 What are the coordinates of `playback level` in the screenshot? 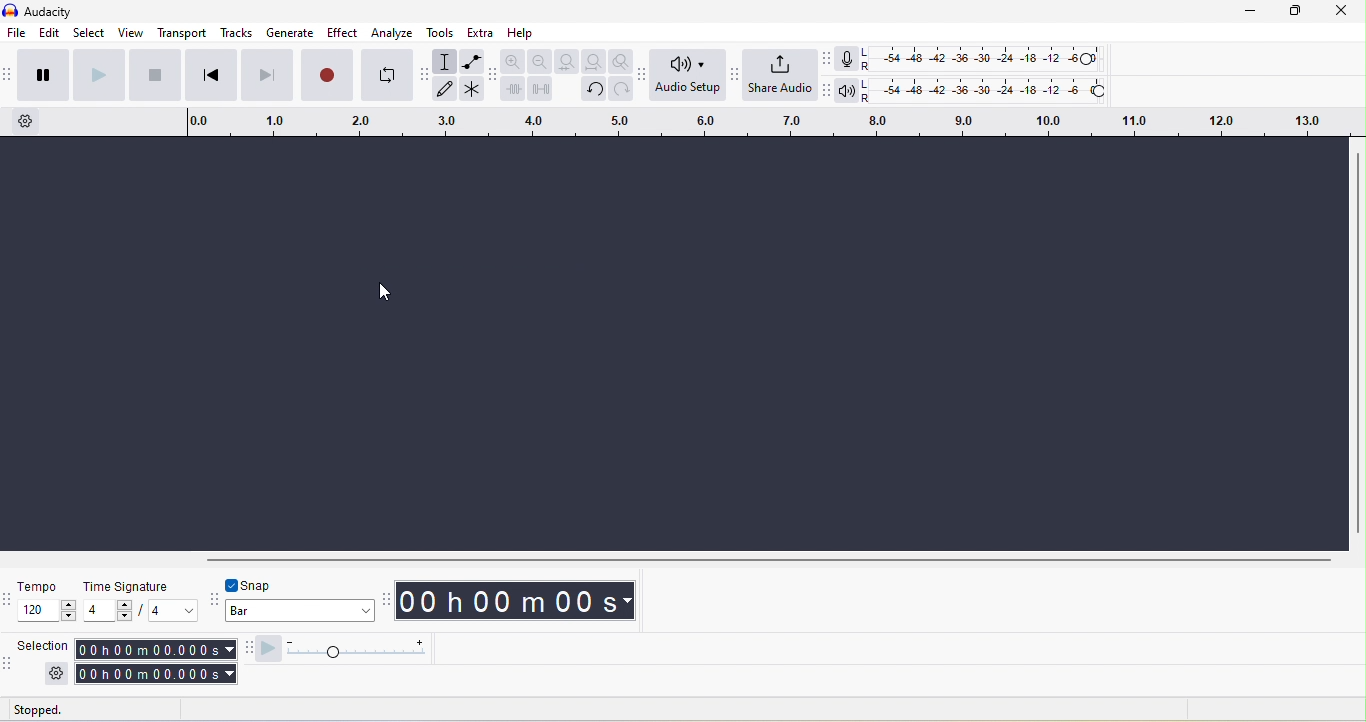 It's located at (992, 90).